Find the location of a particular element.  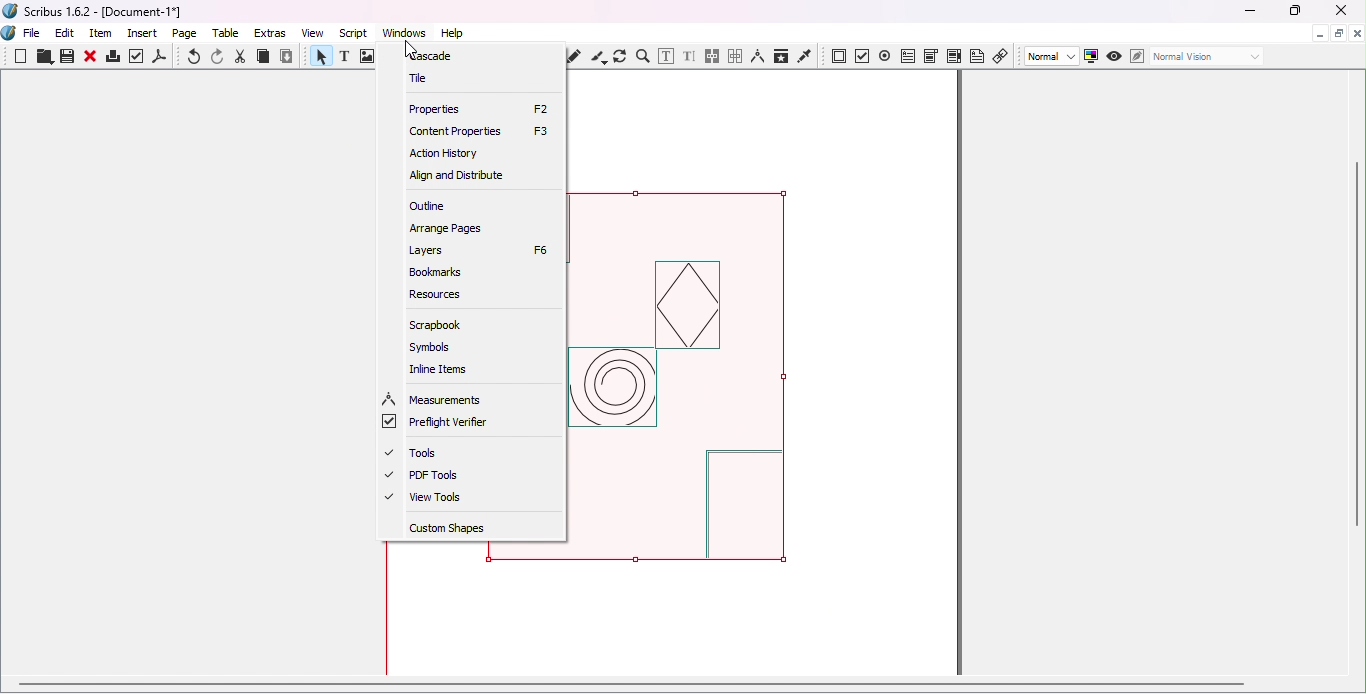

Copy item properties is located at coordinates (780, 56).